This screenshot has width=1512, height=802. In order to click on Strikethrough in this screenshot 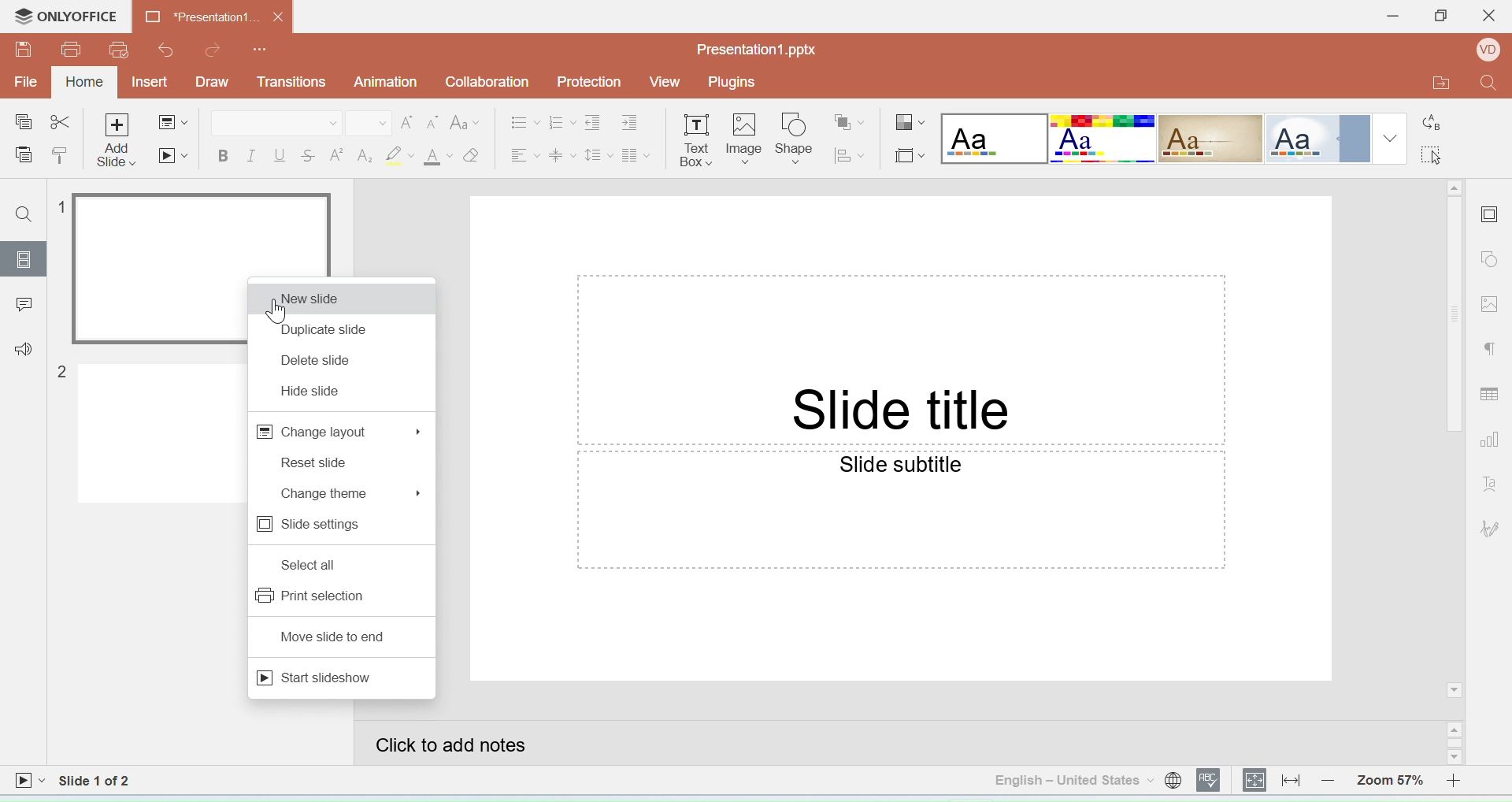, I will do `click(309, 154)`.